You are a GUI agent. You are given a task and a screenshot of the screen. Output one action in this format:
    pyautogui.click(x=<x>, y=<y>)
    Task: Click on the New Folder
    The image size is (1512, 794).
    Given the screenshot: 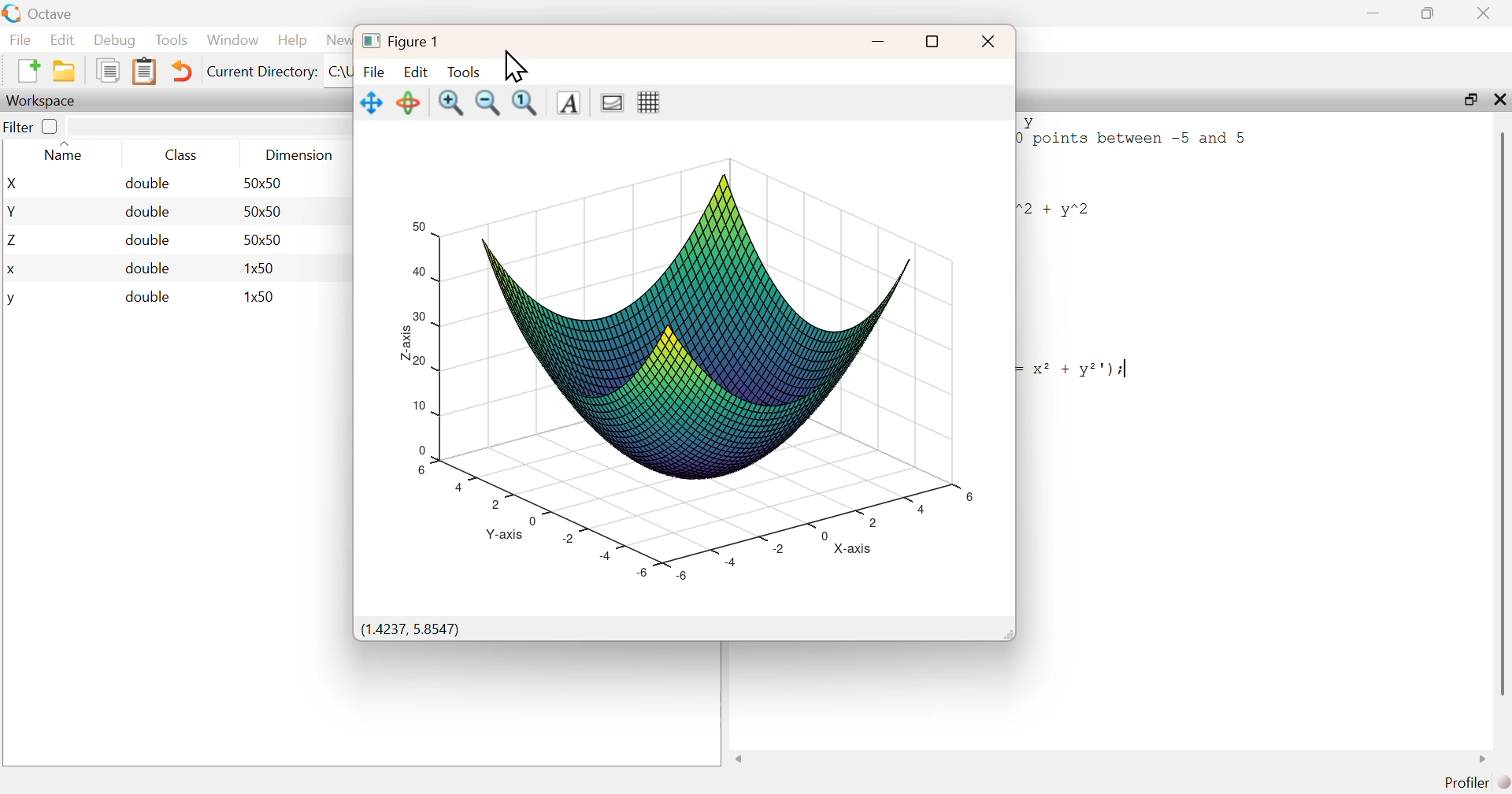 What is the action you would take?
    pyautogui.click(x=65, y=71)
    